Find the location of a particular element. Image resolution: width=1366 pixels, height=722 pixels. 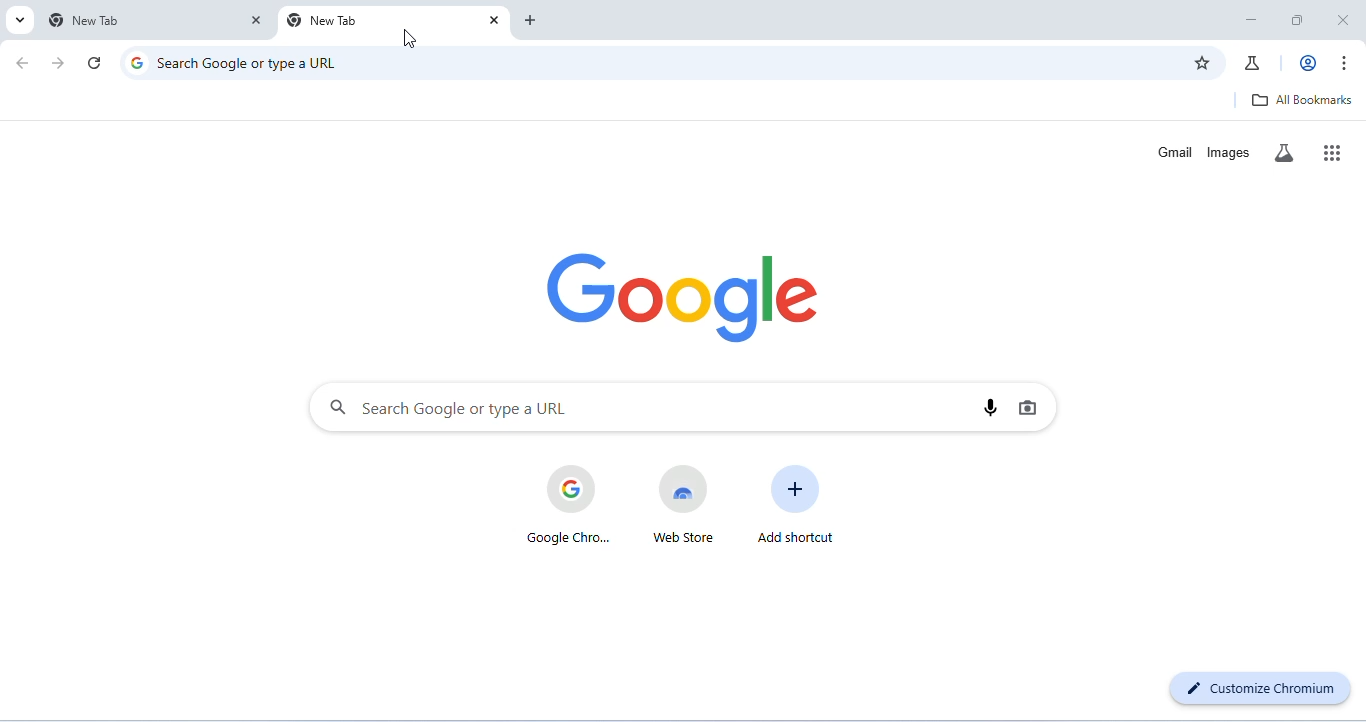

Google logo is located at coordinates (136, 63).